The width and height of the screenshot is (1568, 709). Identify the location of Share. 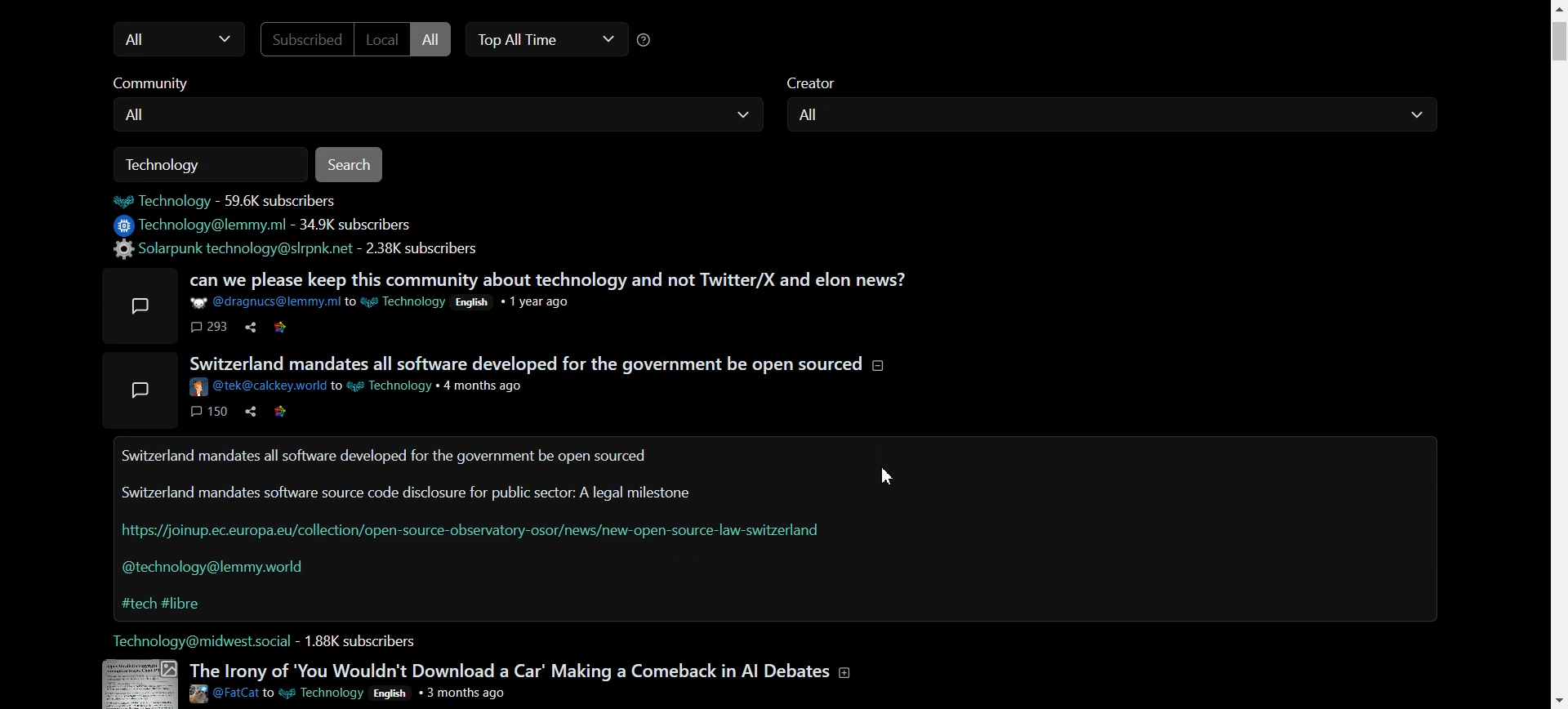
(252, 328).